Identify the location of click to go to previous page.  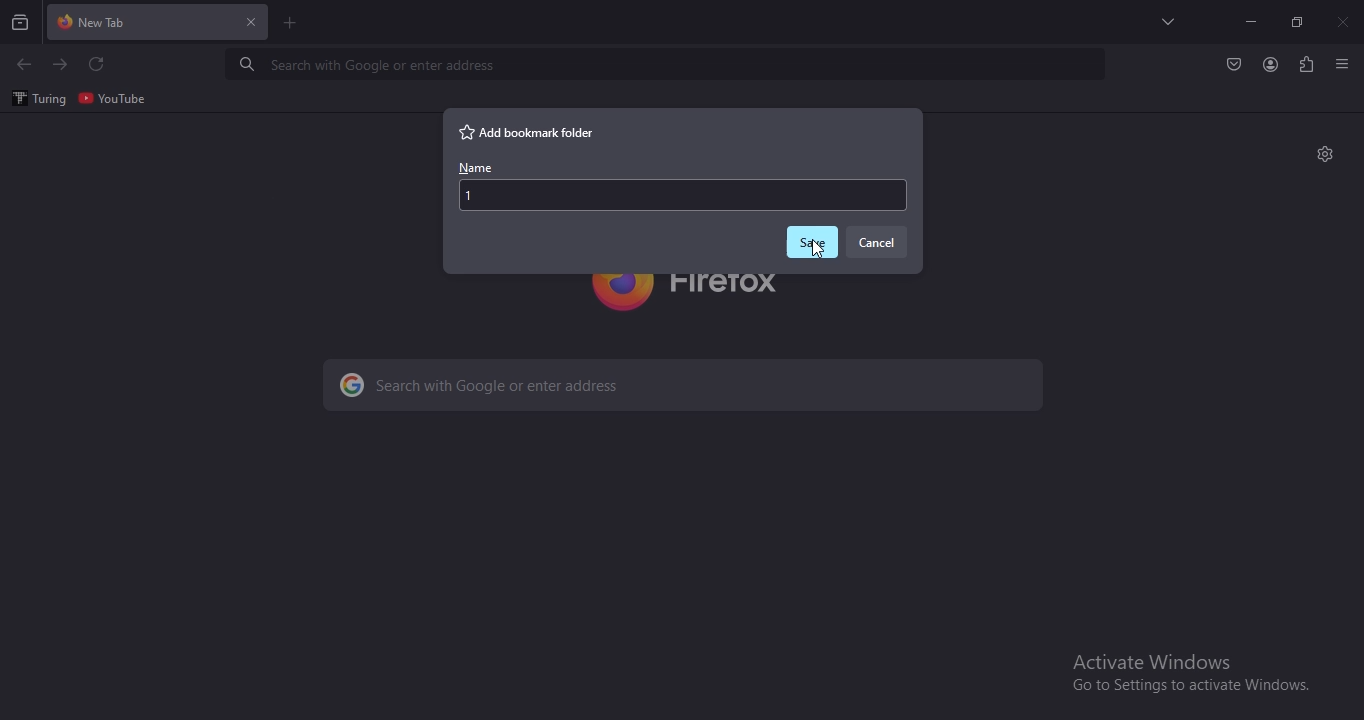
(23, 65).